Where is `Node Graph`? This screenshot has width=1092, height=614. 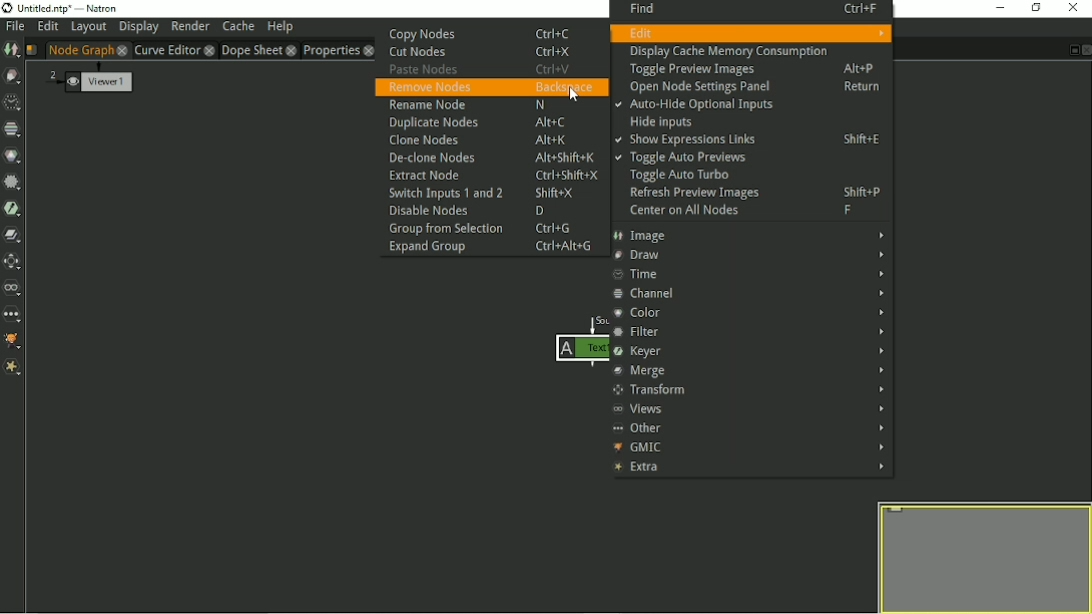
Node Graph is located at coordinates (80, 50).